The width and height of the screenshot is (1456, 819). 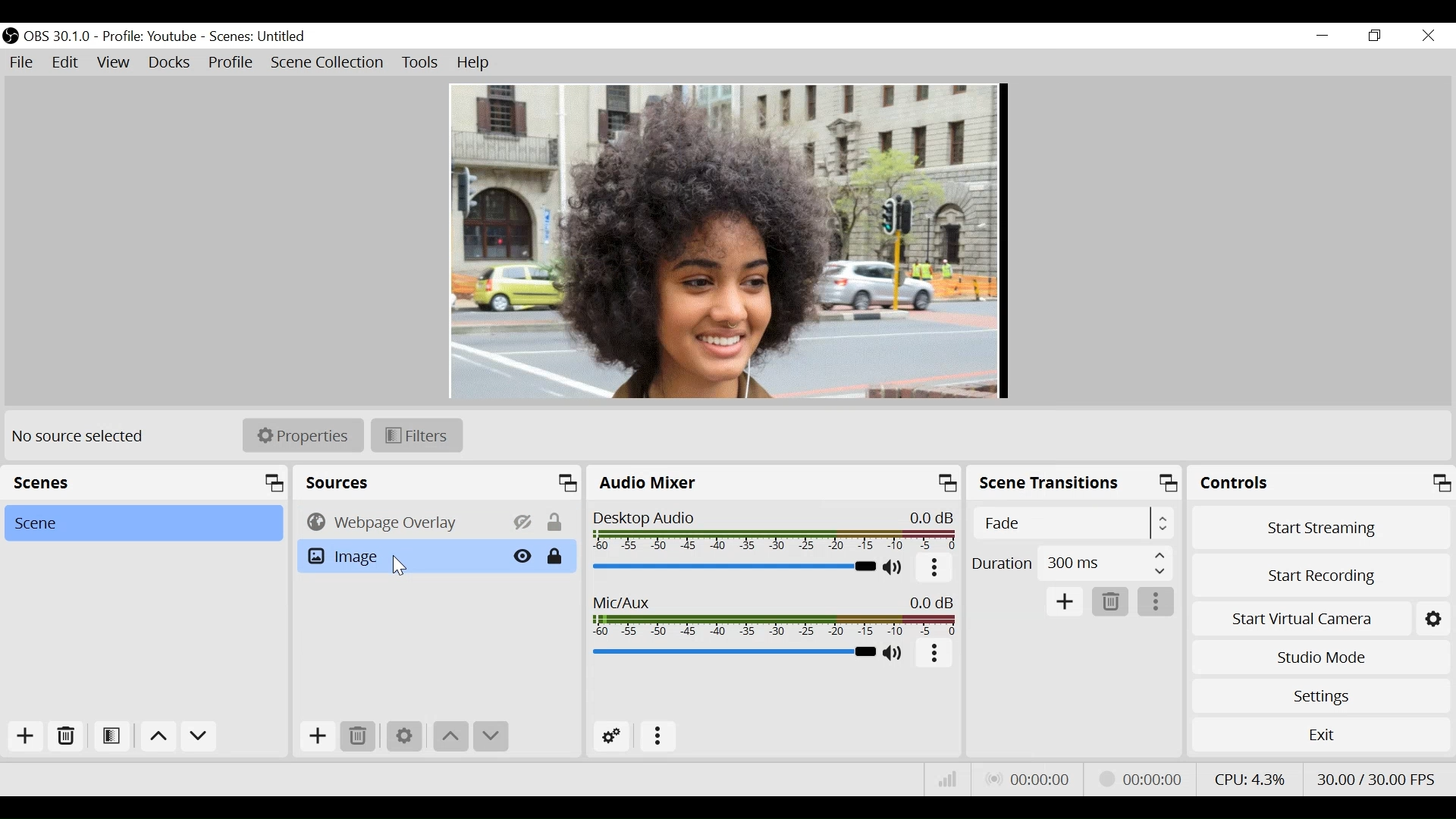 I want to click on Delete, so click(x=64, y=737).